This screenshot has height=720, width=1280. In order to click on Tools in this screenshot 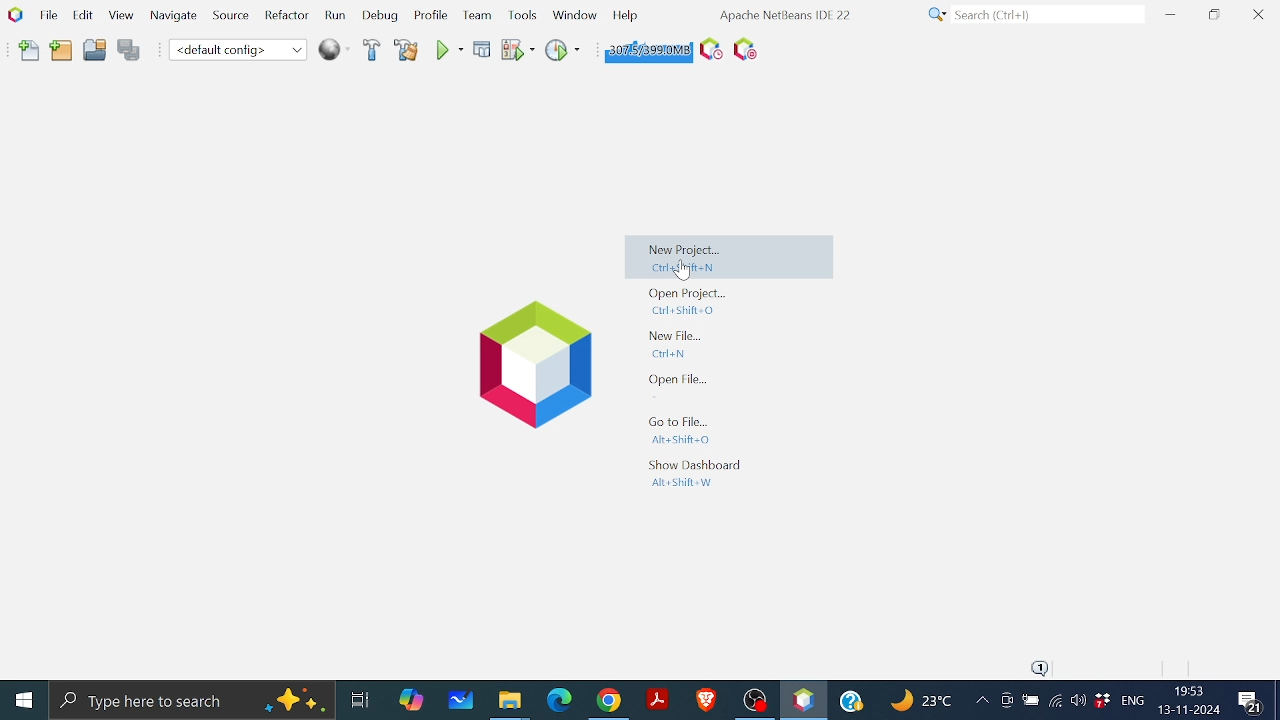, I will do `click(524, 14)`.